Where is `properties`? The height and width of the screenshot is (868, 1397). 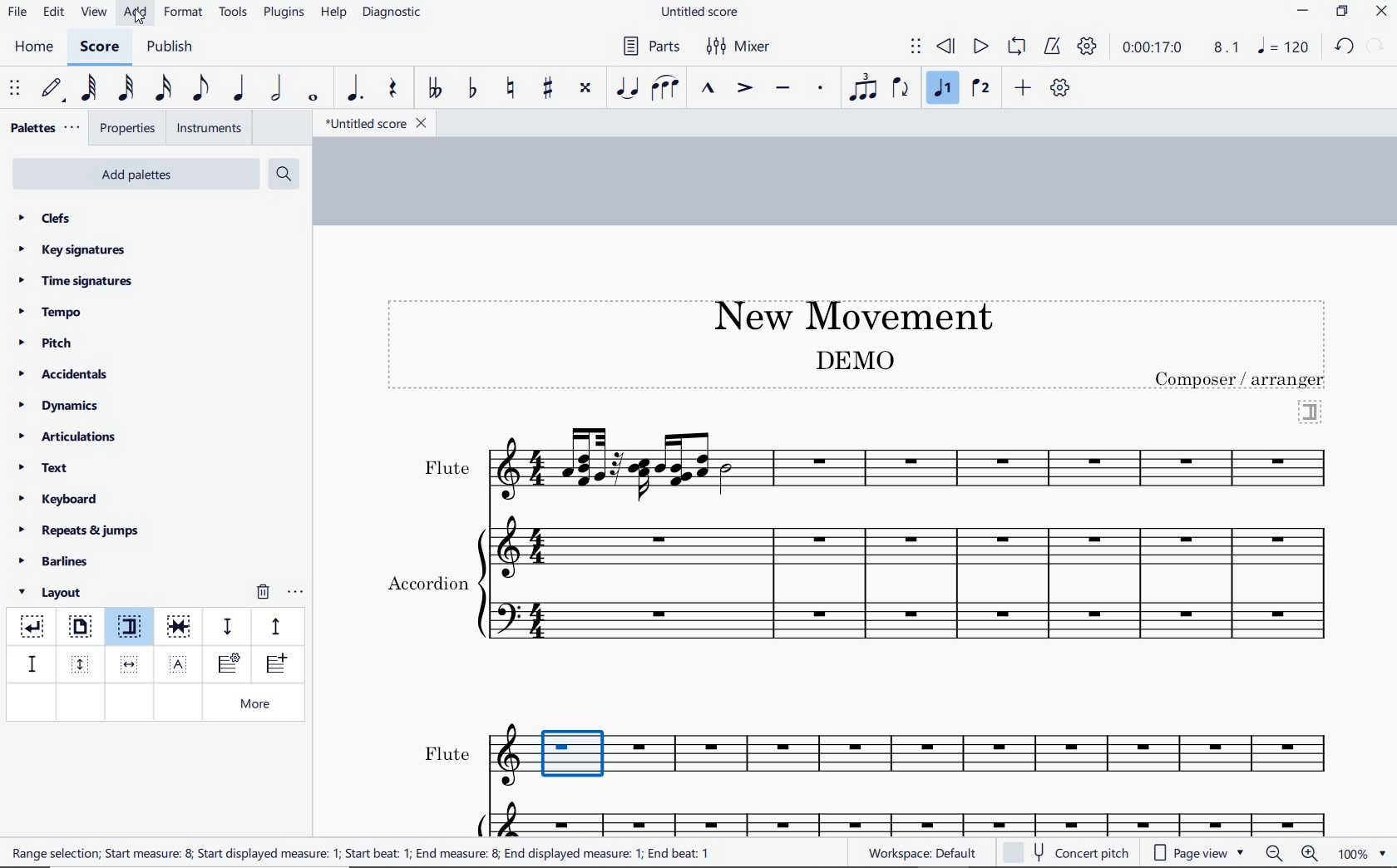 properties is located at coordinates (129, 130).